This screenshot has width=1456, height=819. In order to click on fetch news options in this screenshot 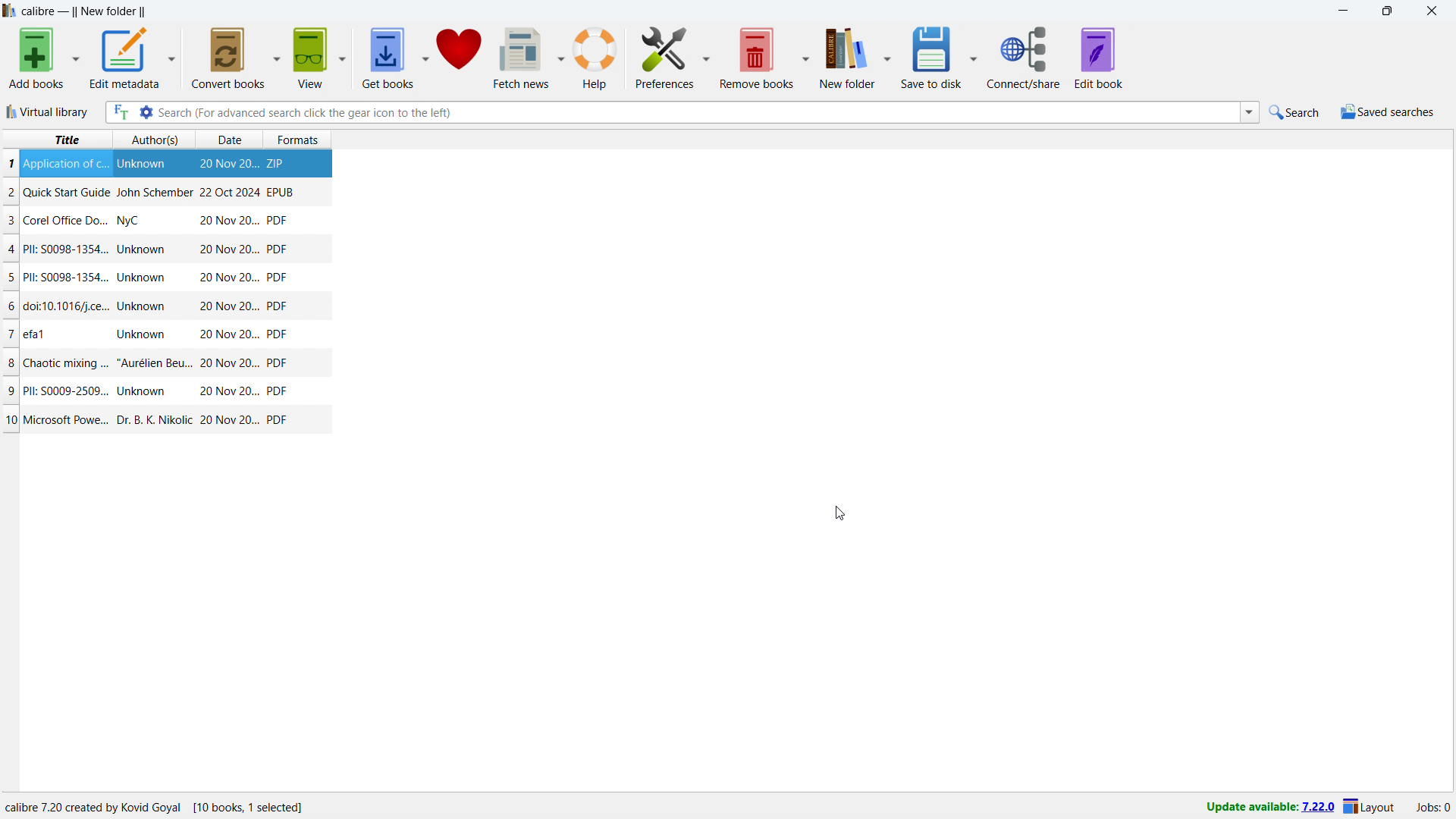, I will do `click(563, 57)`.